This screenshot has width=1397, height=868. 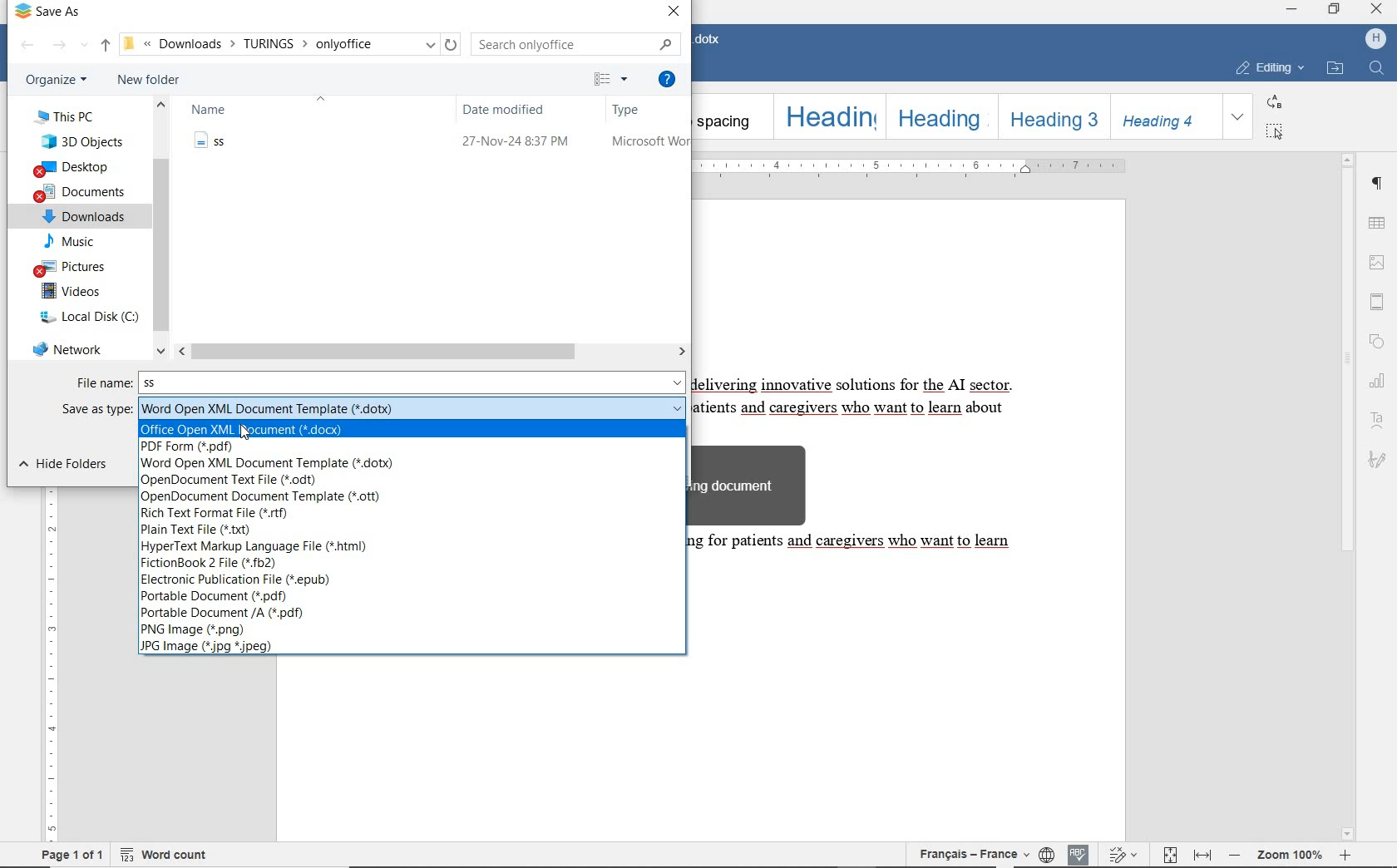 What do you see at coordinates (48, 668) in the screenshot?
I see `RULER` at bounding box center [48, 668].